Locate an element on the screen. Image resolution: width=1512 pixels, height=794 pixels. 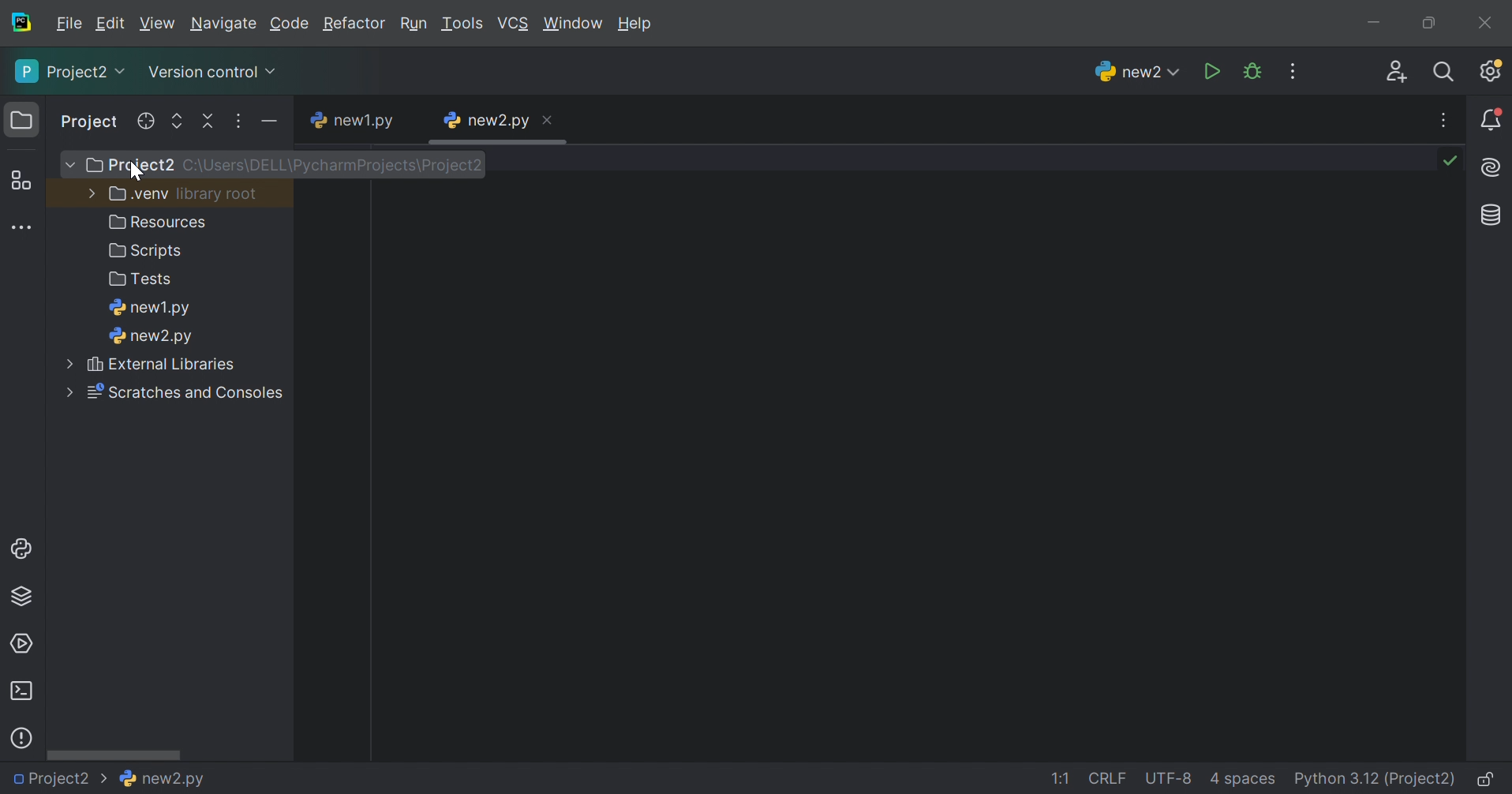
View is located at coordinates (157, 23).